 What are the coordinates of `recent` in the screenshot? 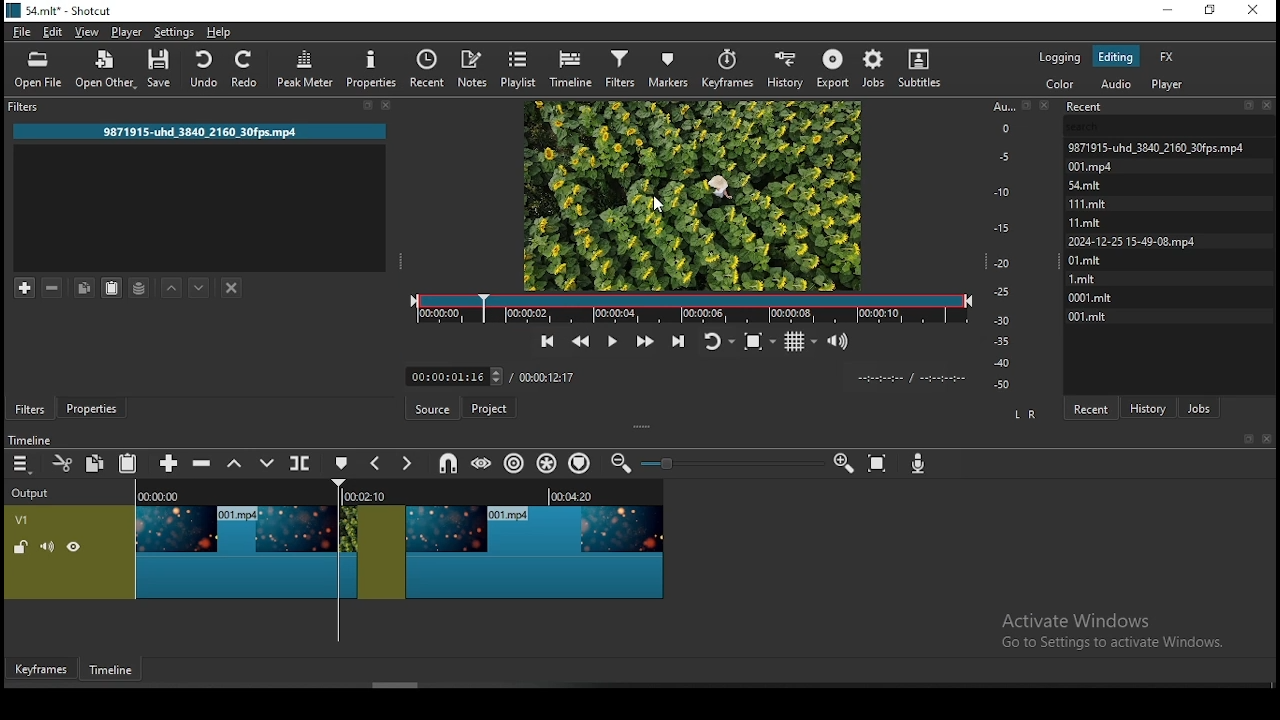 It's located at (428, 71).